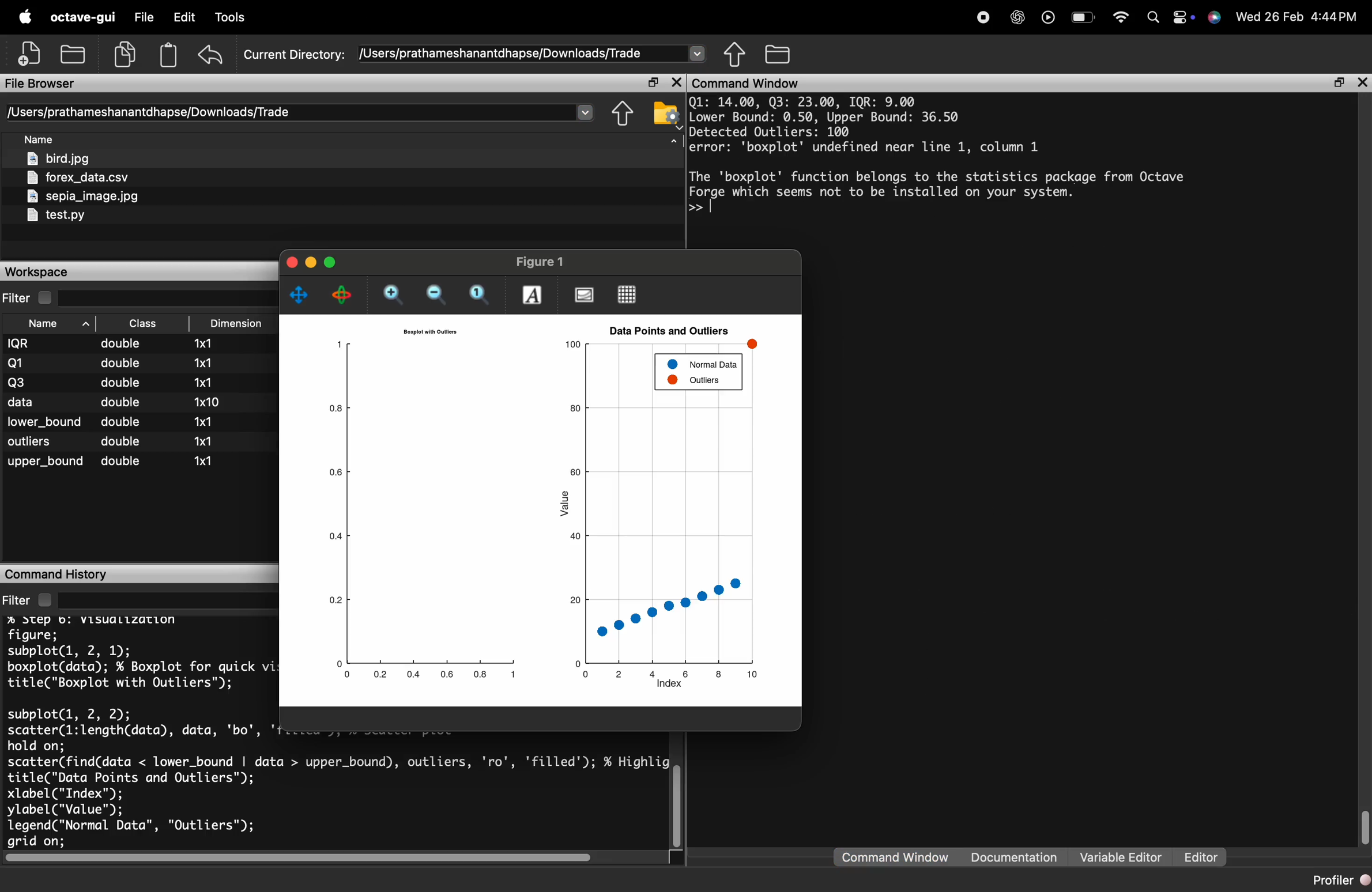  Describe the element at coordinates (481, 296) in the screenshot. I see `Automatic limits for current axes` at that location.